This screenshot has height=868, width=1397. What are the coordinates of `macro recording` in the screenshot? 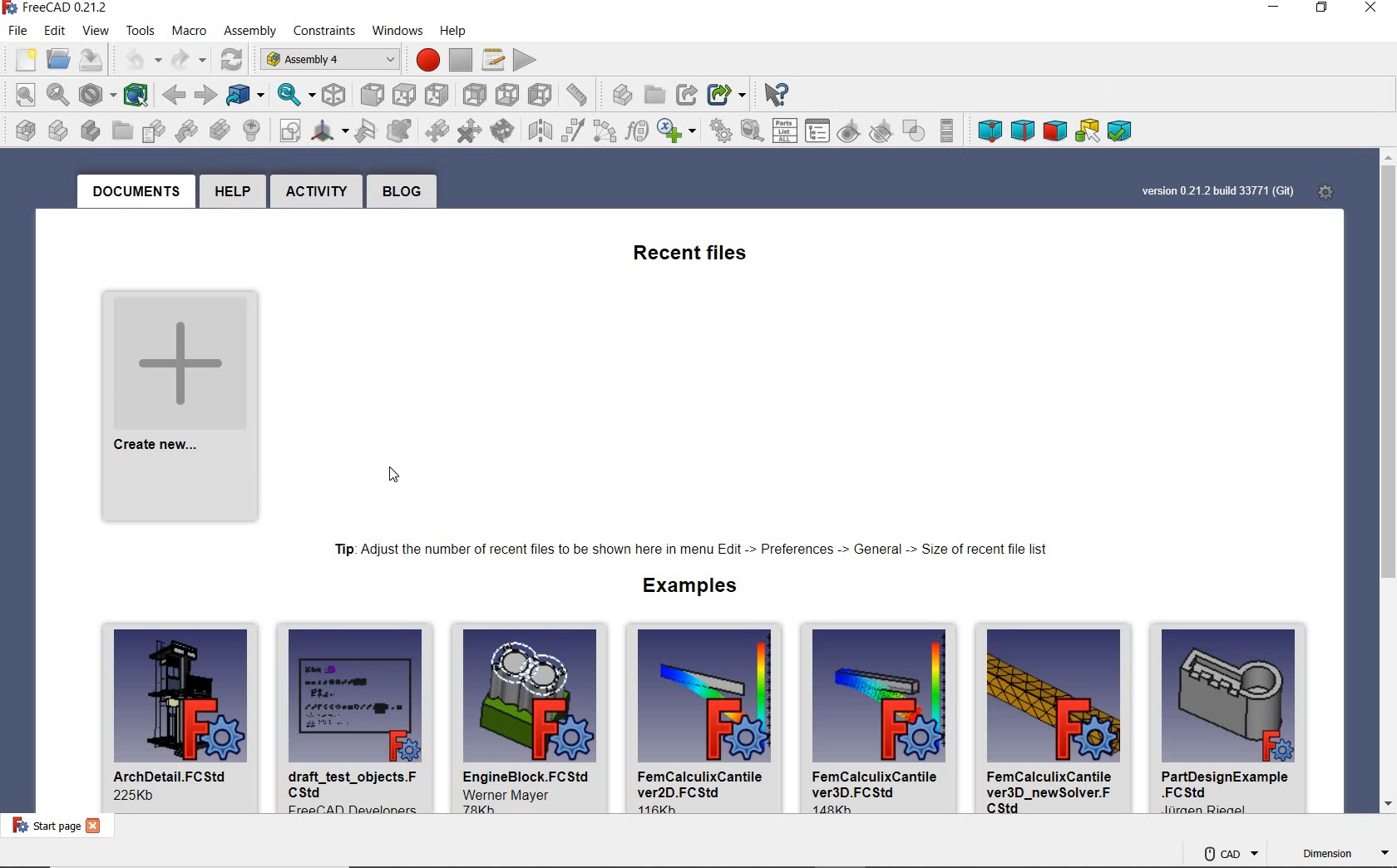 It's located at (425, 60).